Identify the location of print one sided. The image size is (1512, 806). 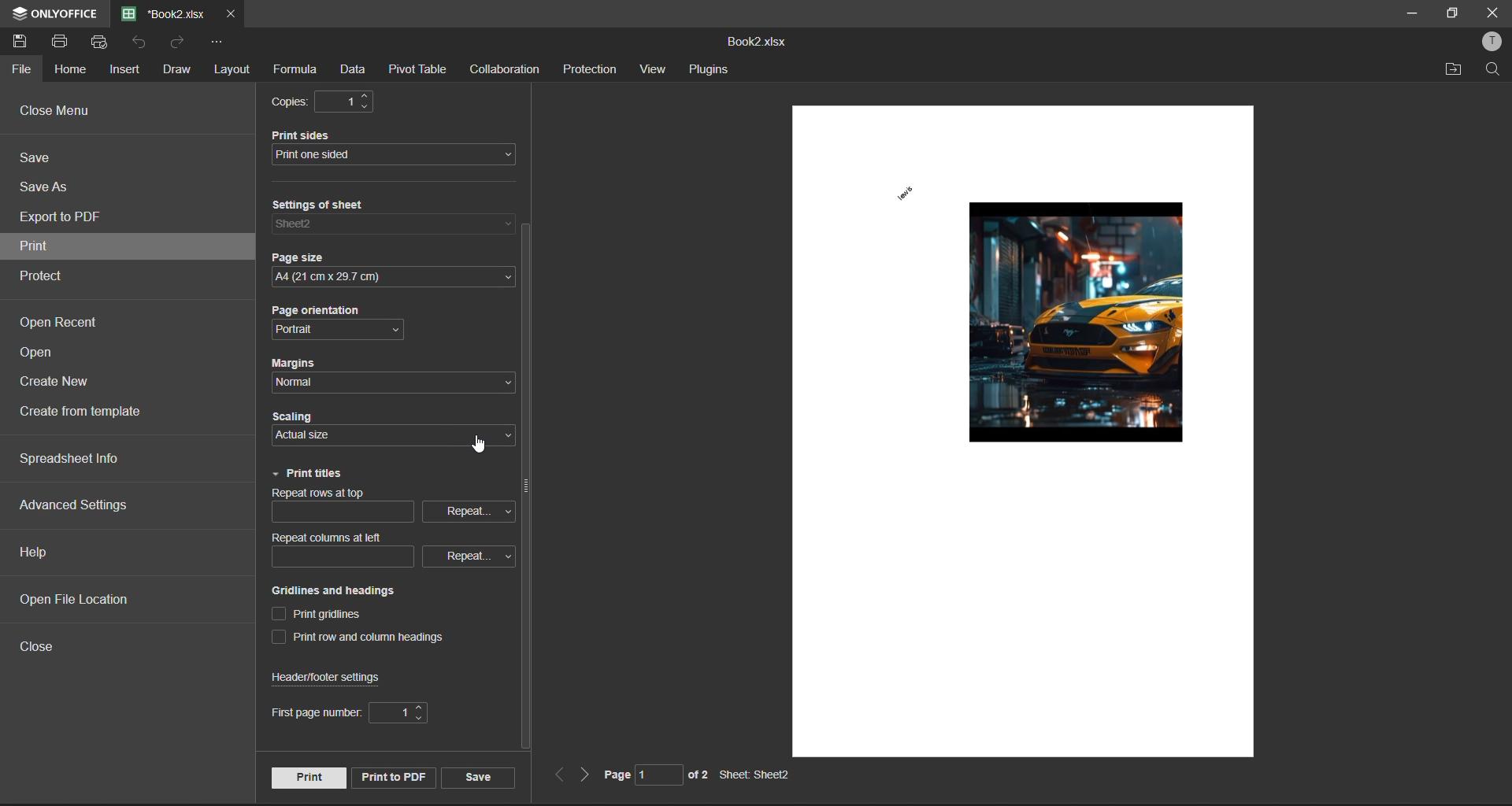
(383, 156).